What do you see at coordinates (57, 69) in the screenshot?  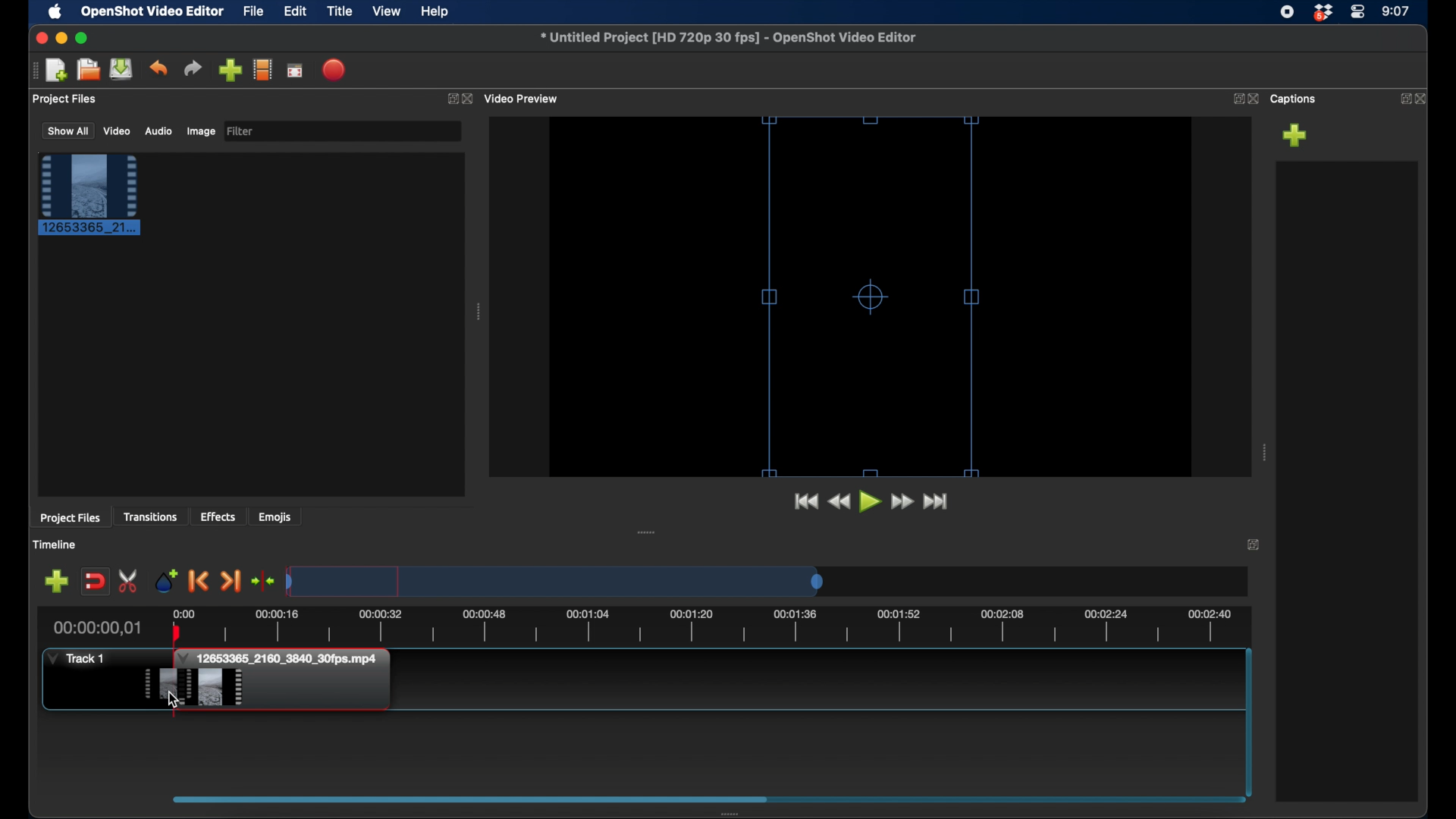 I see `new project` at bounding box center [57, 69].